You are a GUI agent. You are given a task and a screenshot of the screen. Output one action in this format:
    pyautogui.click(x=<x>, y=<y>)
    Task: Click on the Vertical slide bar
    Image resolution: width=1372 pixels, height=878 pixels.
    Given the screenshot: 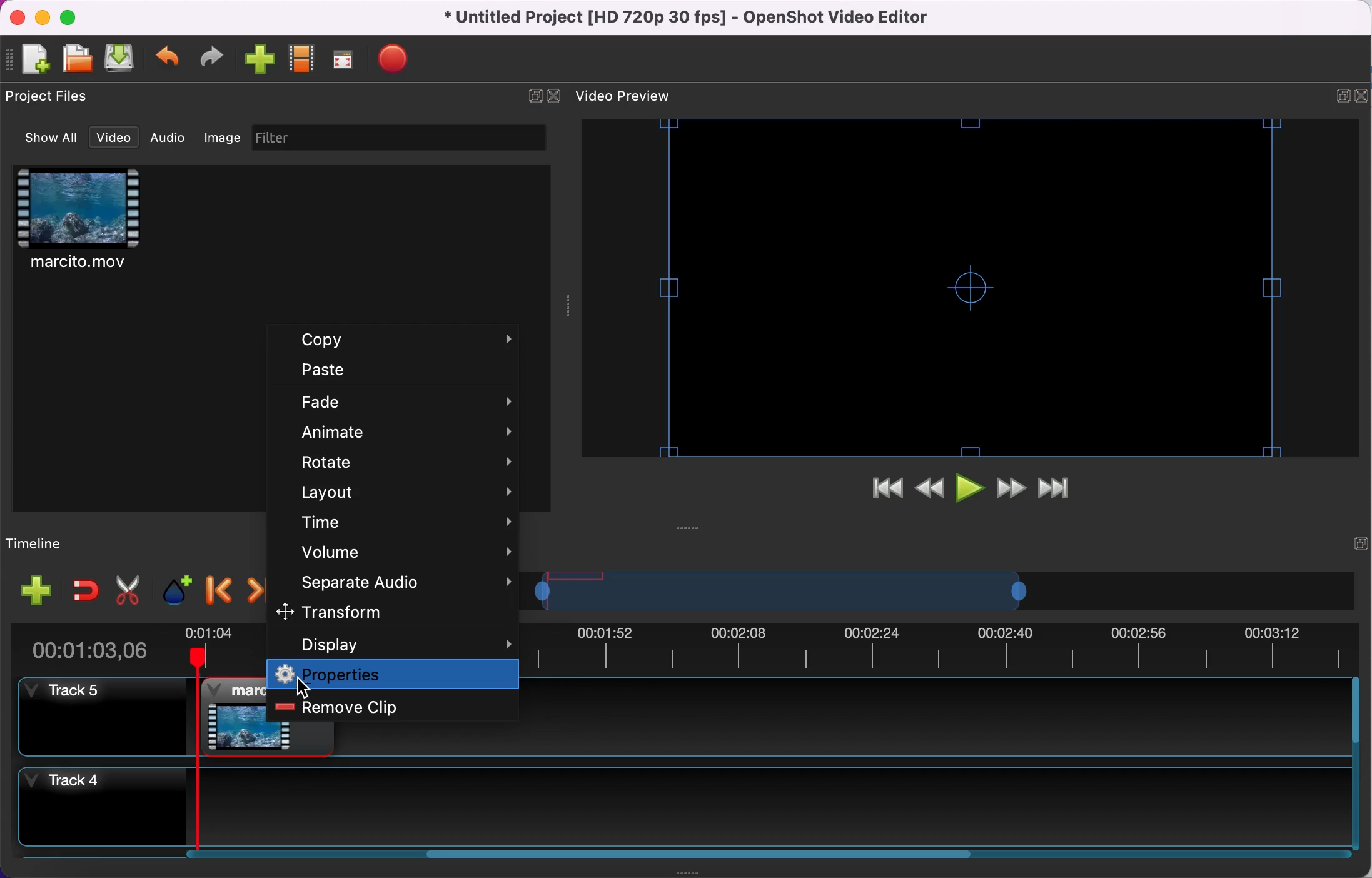 What is the action you would take?
    pyautogui.click(x=1356, y=762)
    